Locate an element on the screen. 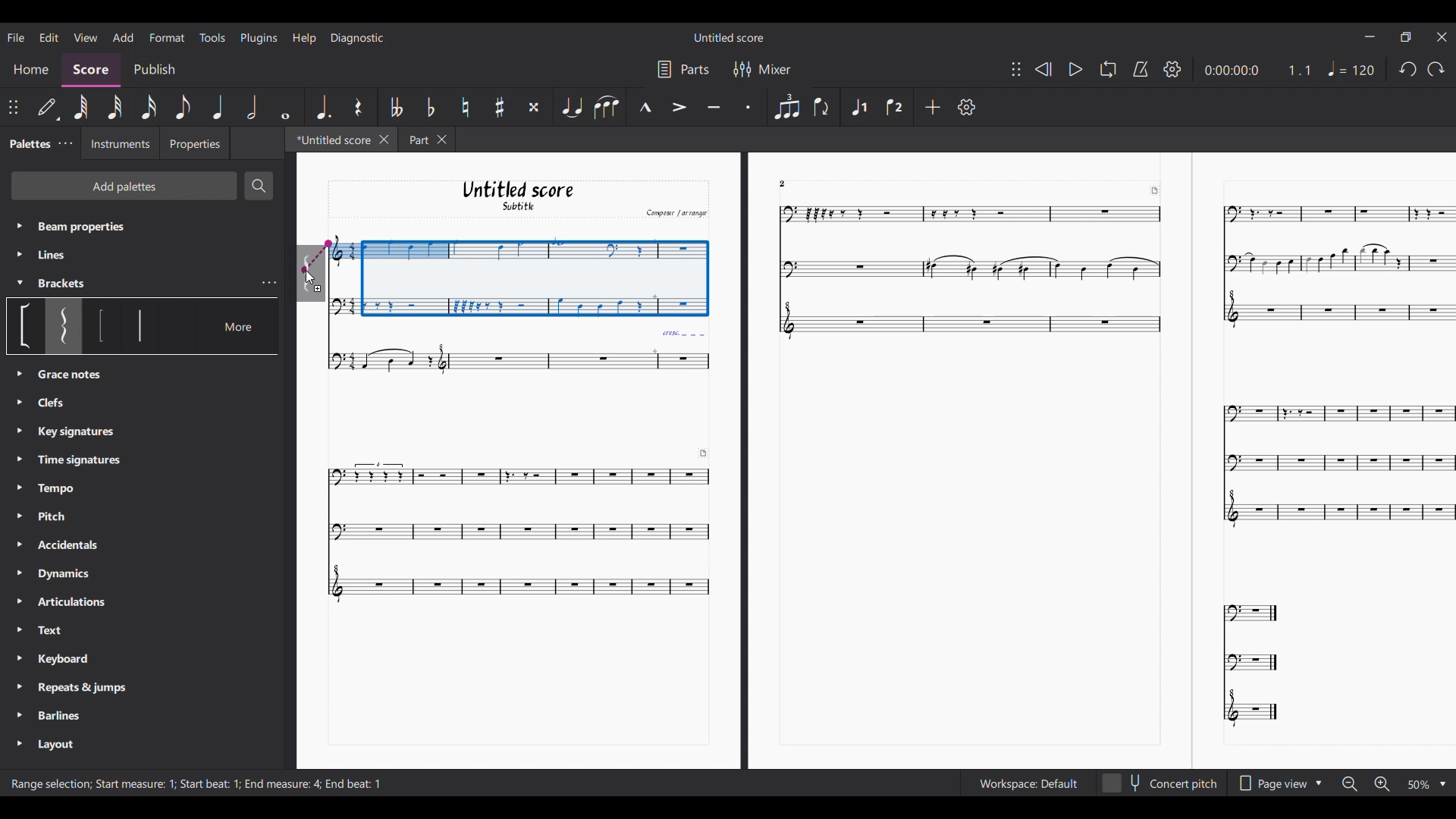 Image resolution: width=1456 pixels, height=819 pixels. Toggle flat is located at coordinates (430, 107).